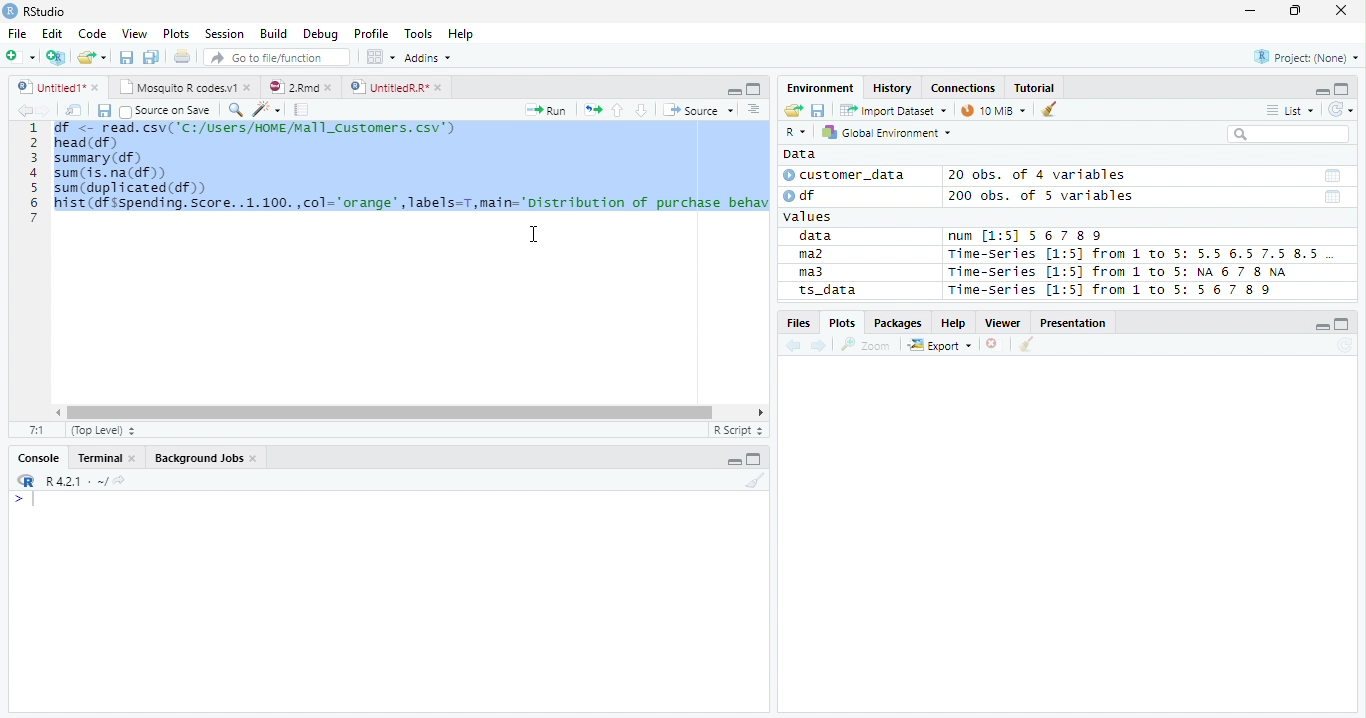  What do you see at coordinates (1038, 177) in the screenshot?
I see `20 obs. of 4 variables` at bounding box center [1038, 177].